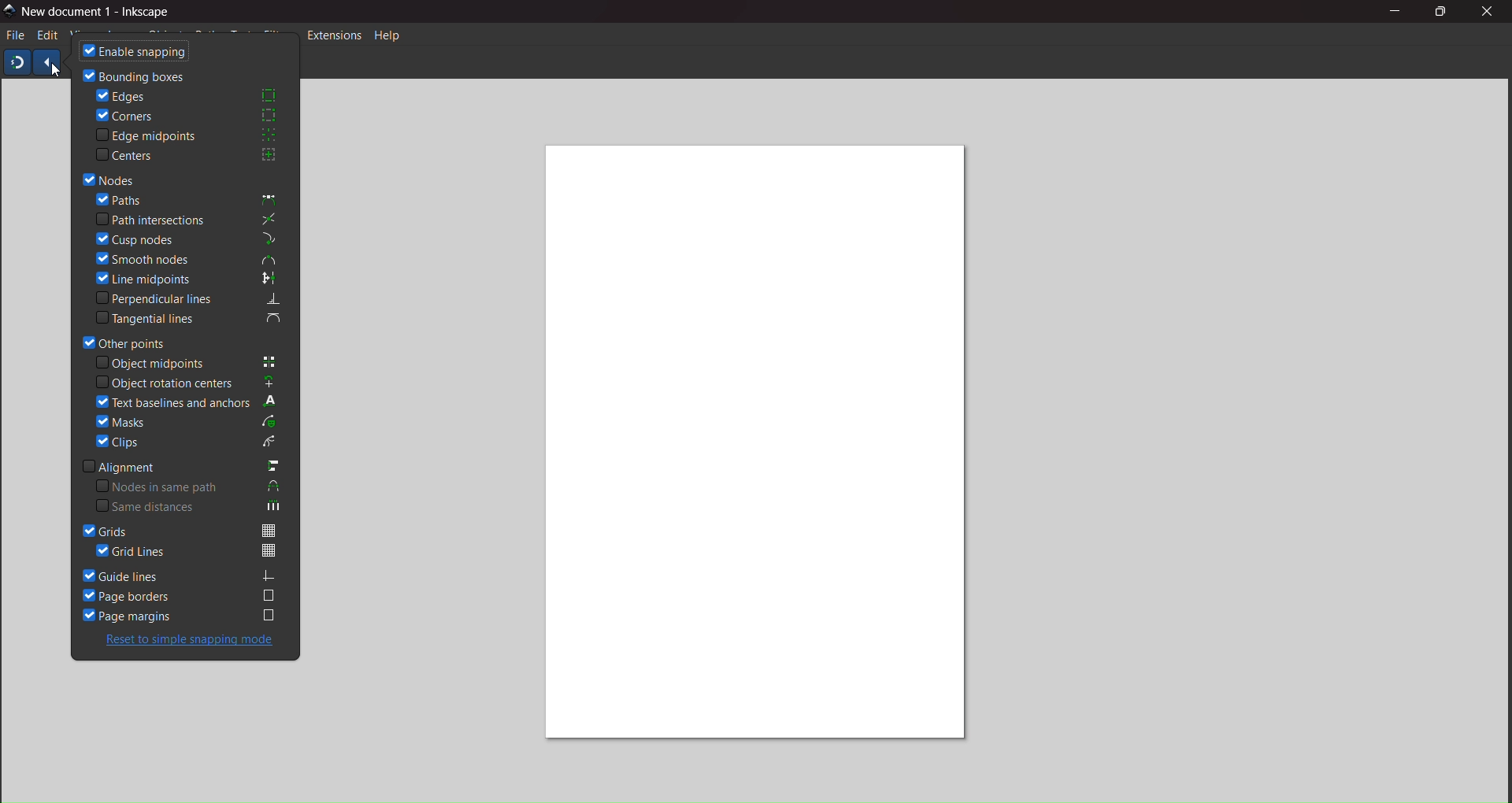  I want to click on grid lines, so click(189, 550).